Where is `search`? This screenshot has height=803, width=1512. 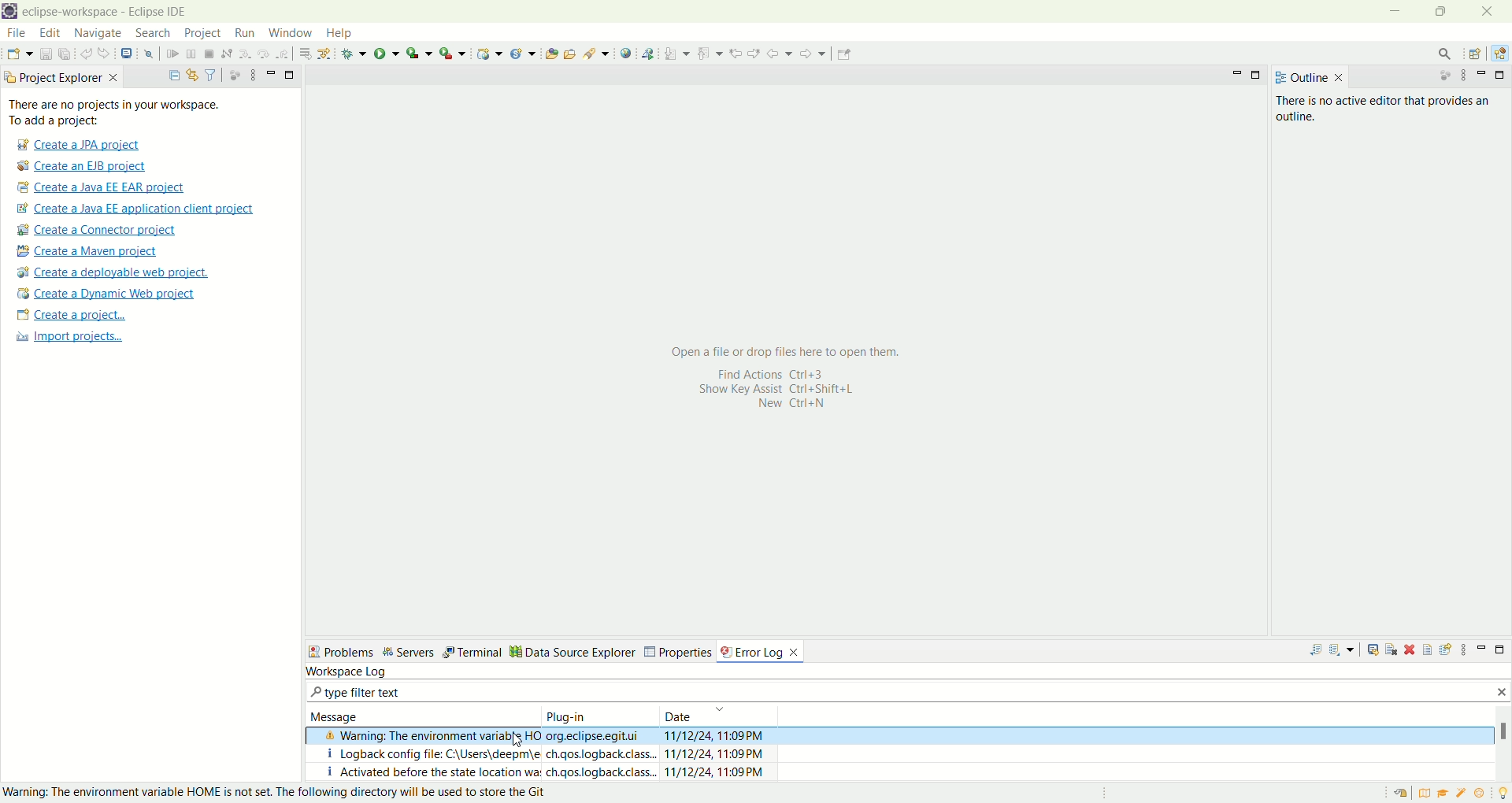 search is located at coordinates (154, 33).